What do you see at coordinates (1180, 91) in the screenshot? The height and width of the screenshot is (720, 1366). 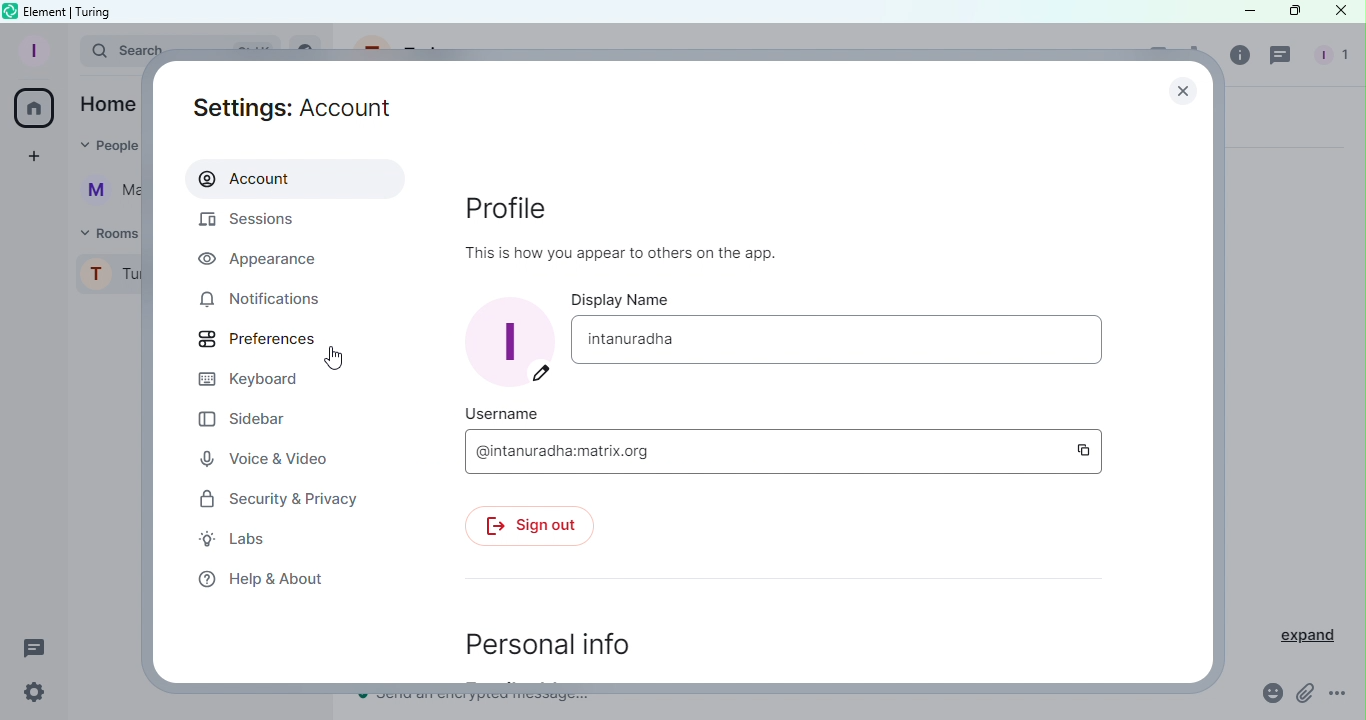 I see `close` at bounding box center [1180, 91].